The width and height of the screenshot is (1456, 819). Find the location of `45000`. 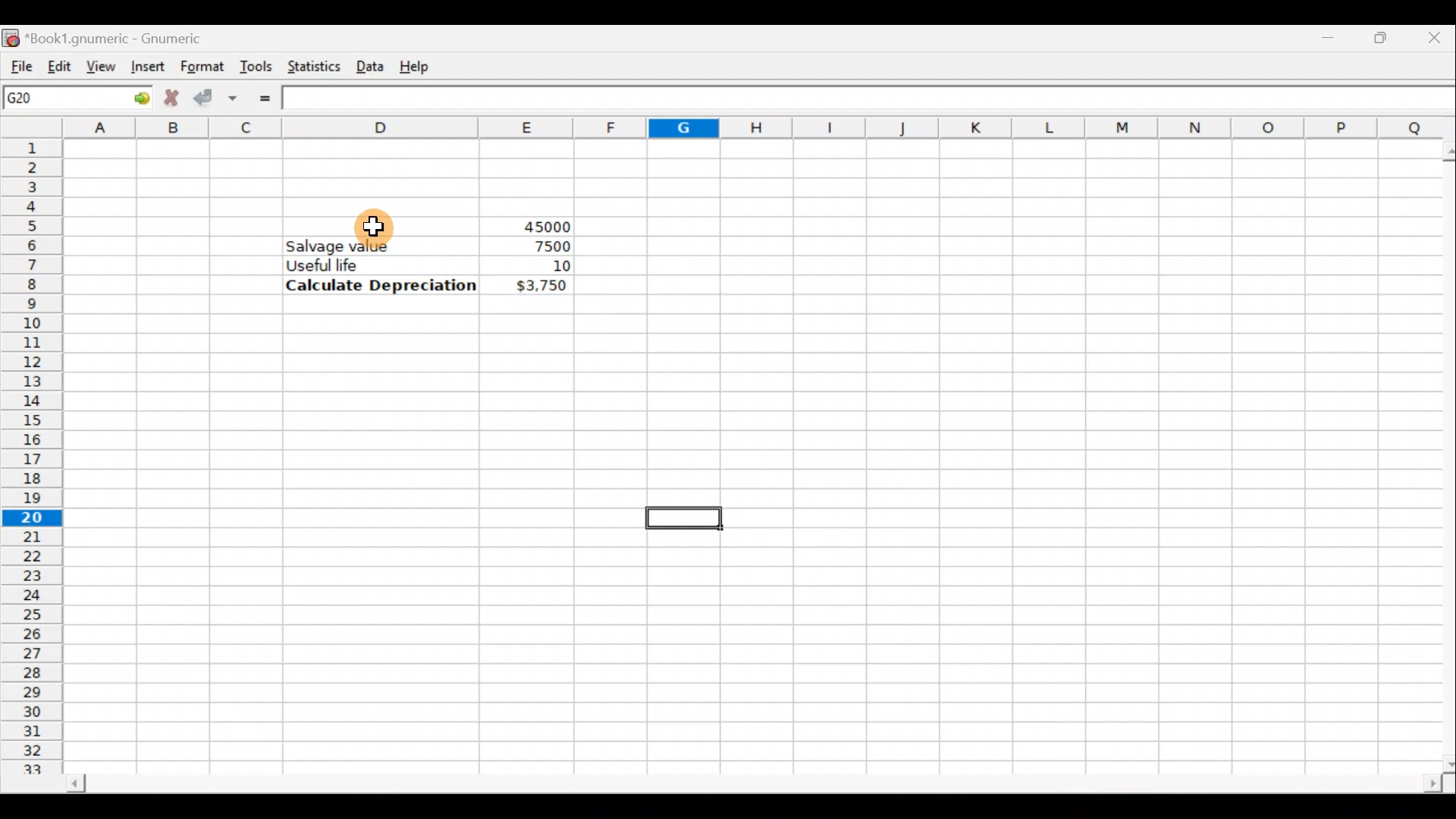

45000 is located at coordinates (541, 227).